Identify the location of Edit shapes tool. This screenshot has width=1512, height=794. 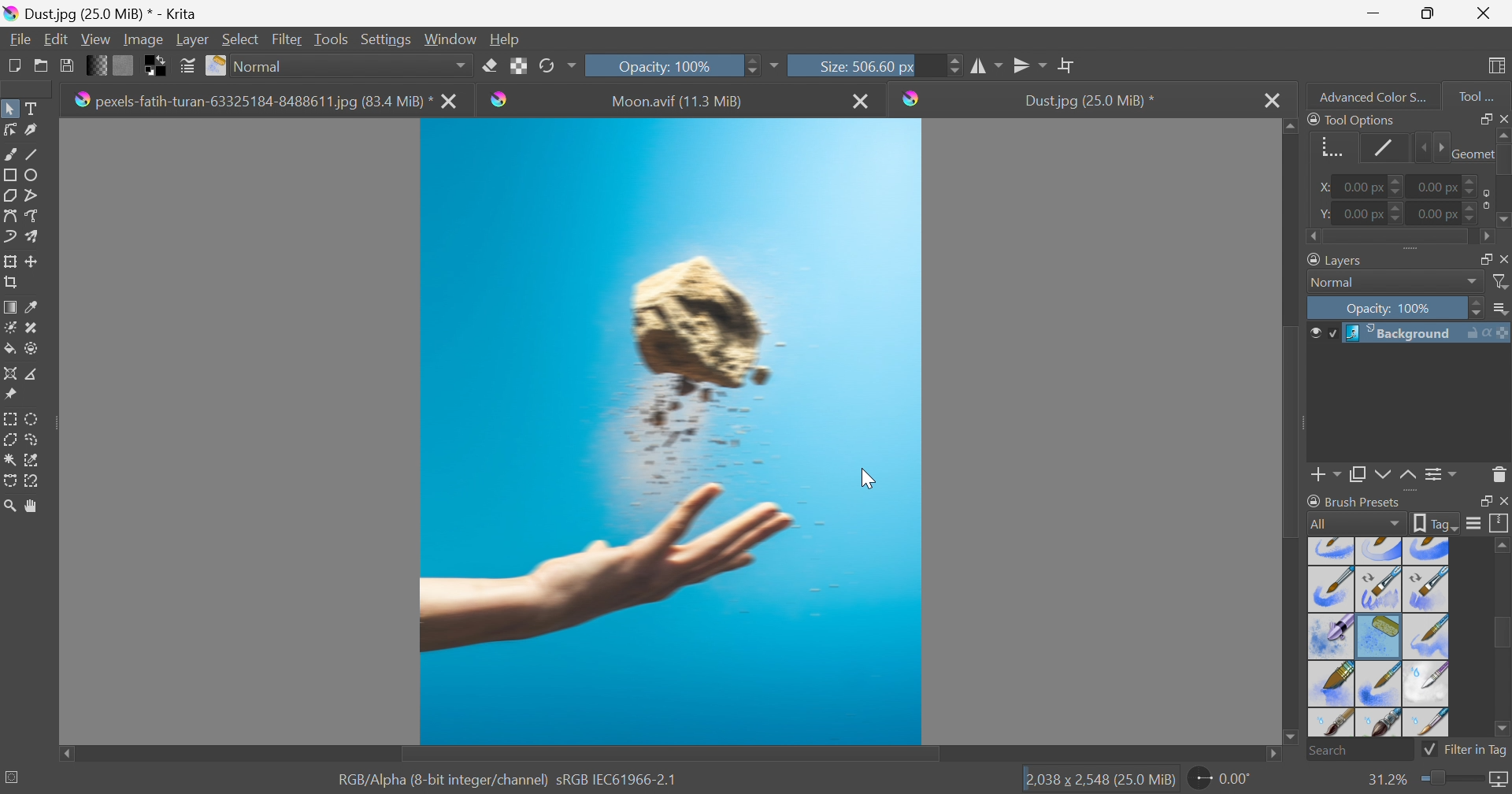
(9, 129).